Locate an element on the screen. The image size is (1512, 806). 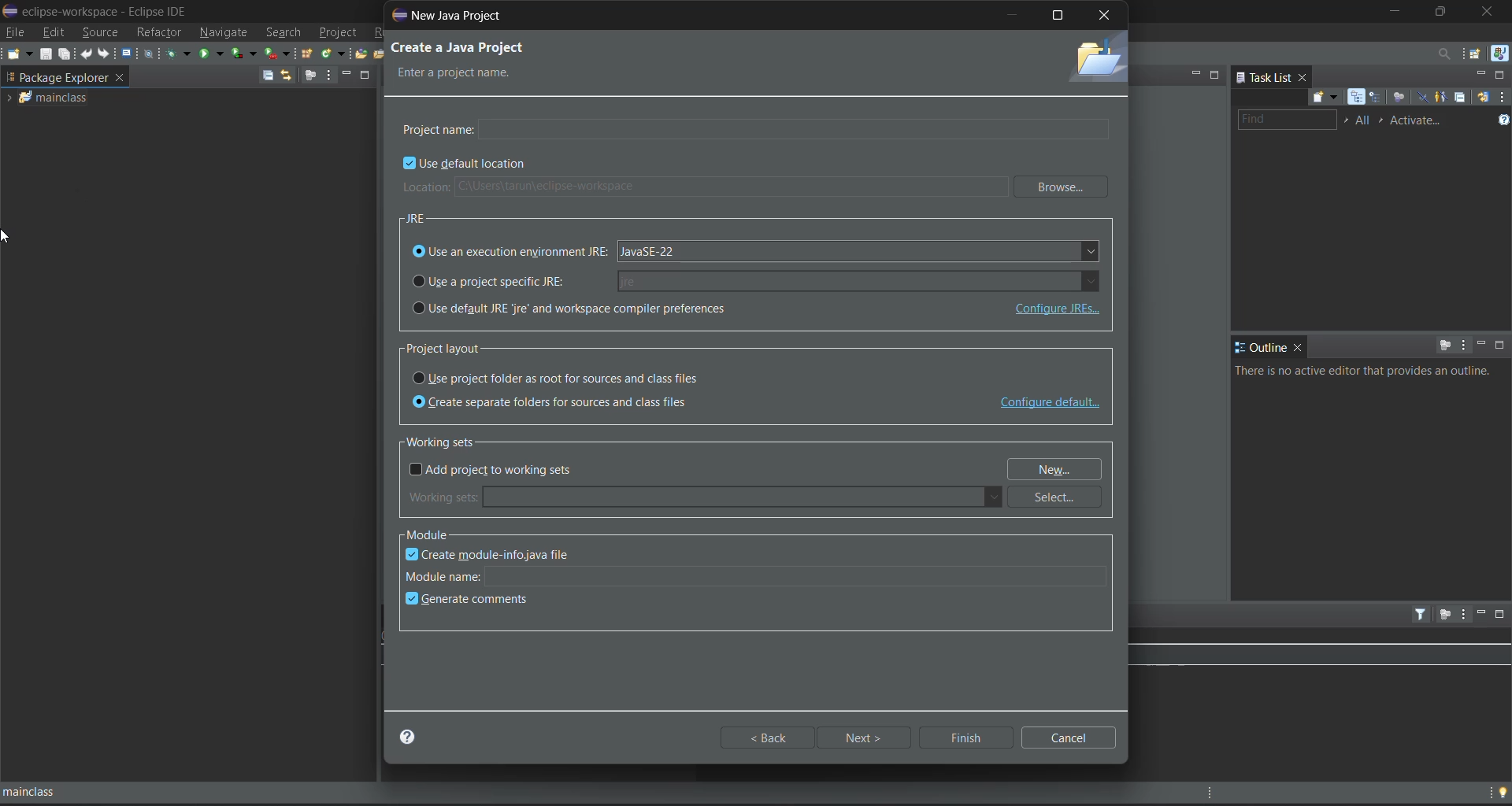
open type is located at coordinates (363, 53).